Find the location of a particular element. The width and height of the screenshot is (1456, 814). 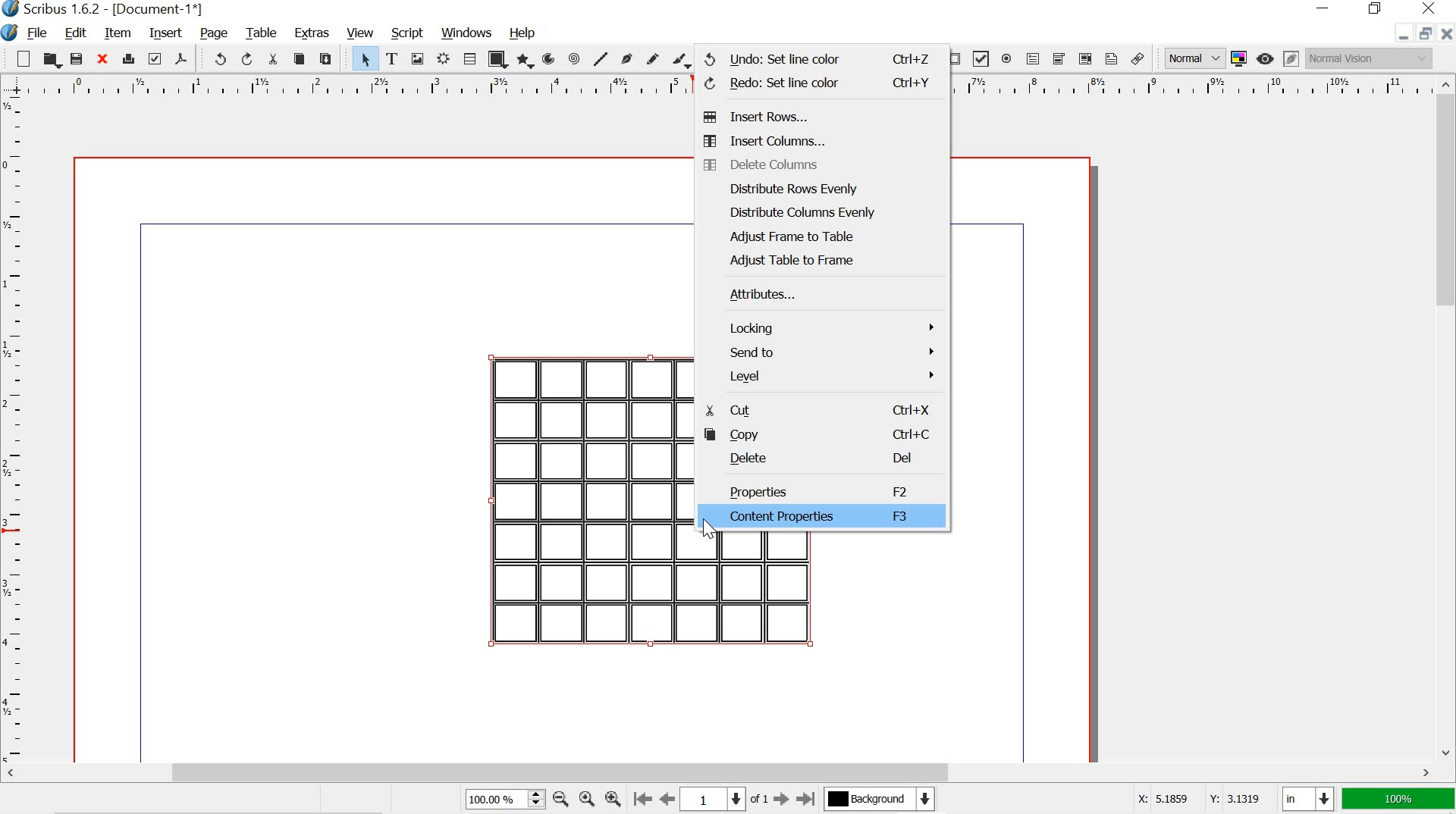

help is located at coordinates (523, 31).